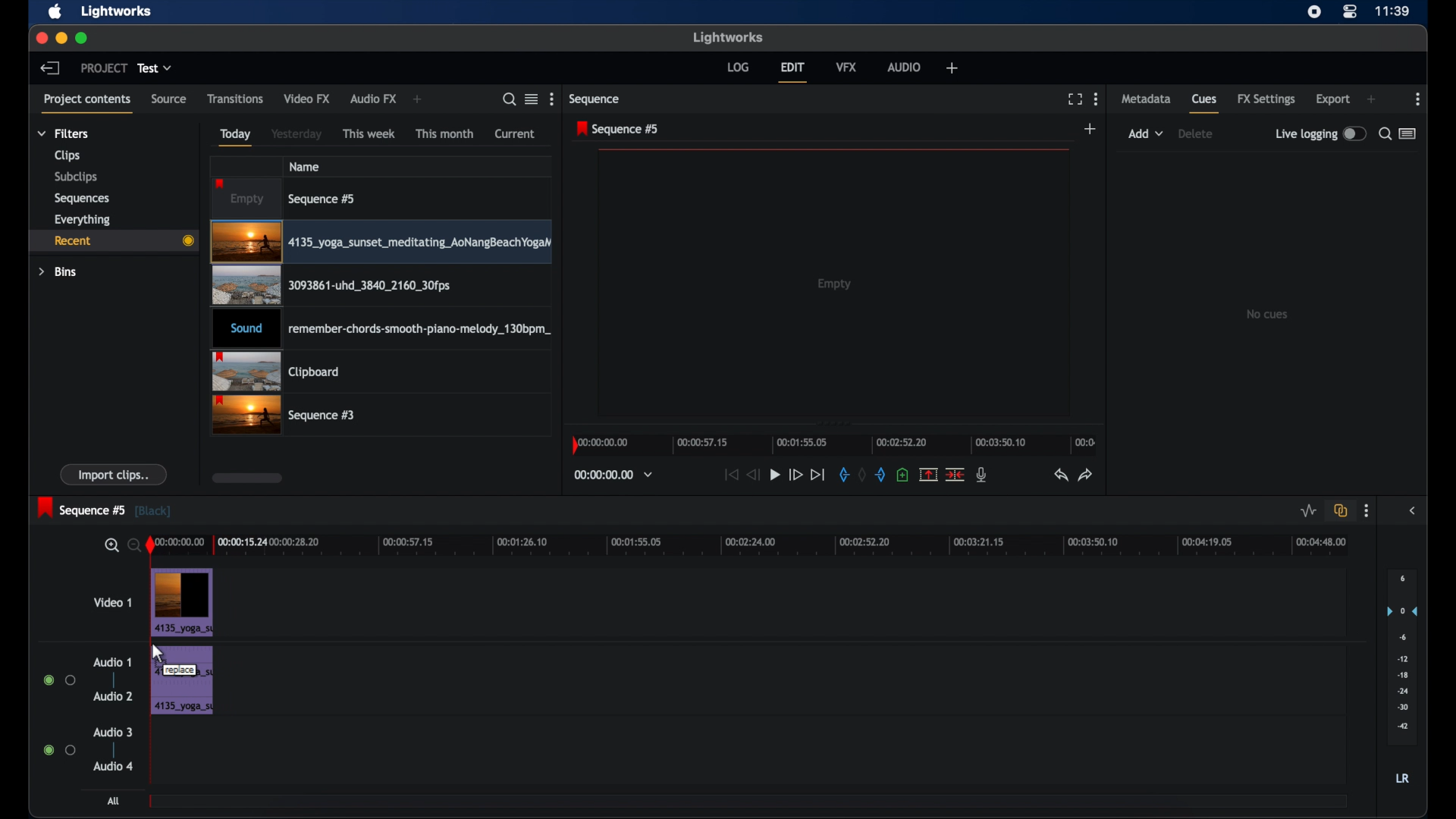 Image resolution: width=1456 pixels, height=819 pixels. Describe the element at coordinates (833, 444) in the screenshot. I see `timeline scale` at that location.